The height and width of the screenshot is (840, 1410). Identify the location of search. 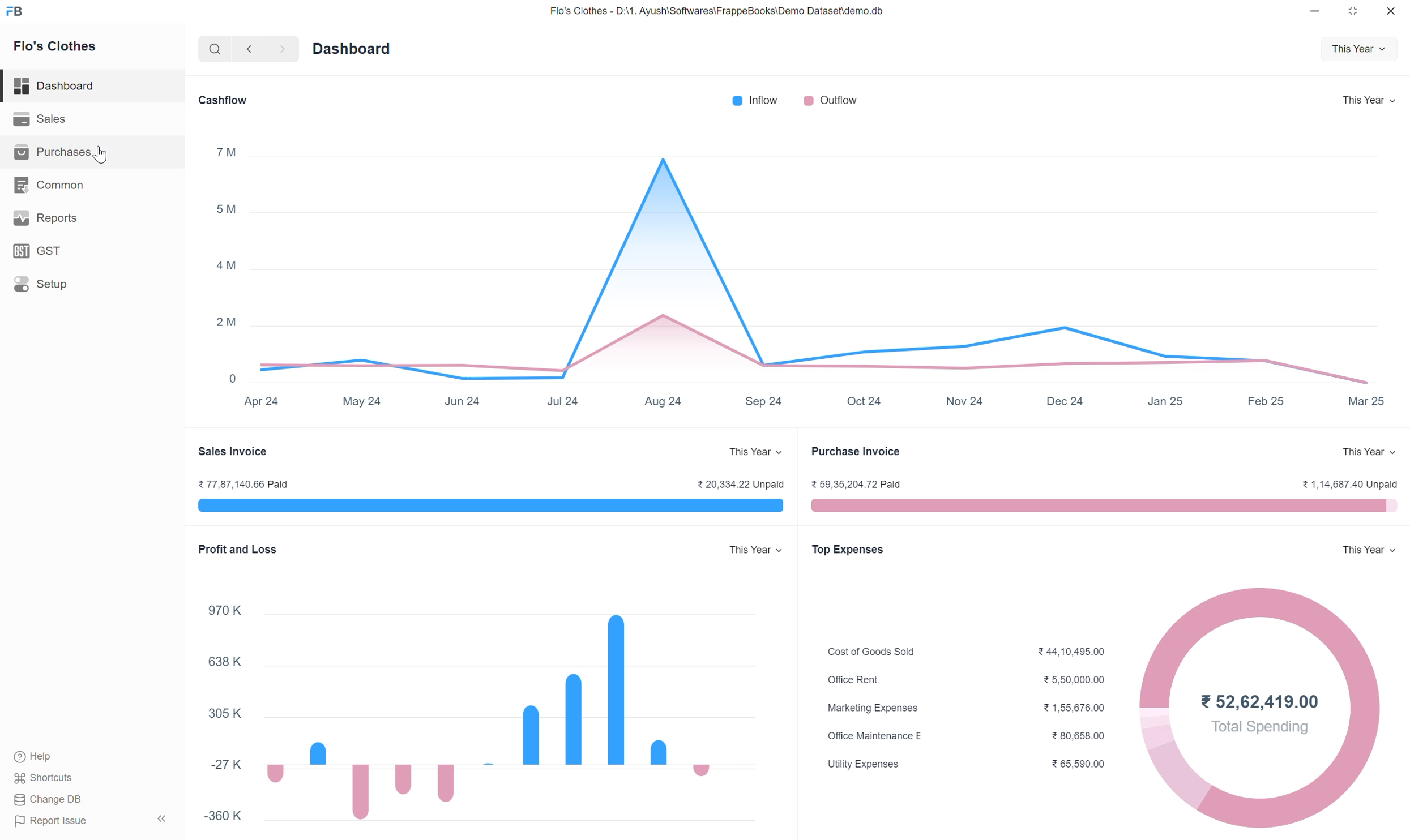
(214, 49).